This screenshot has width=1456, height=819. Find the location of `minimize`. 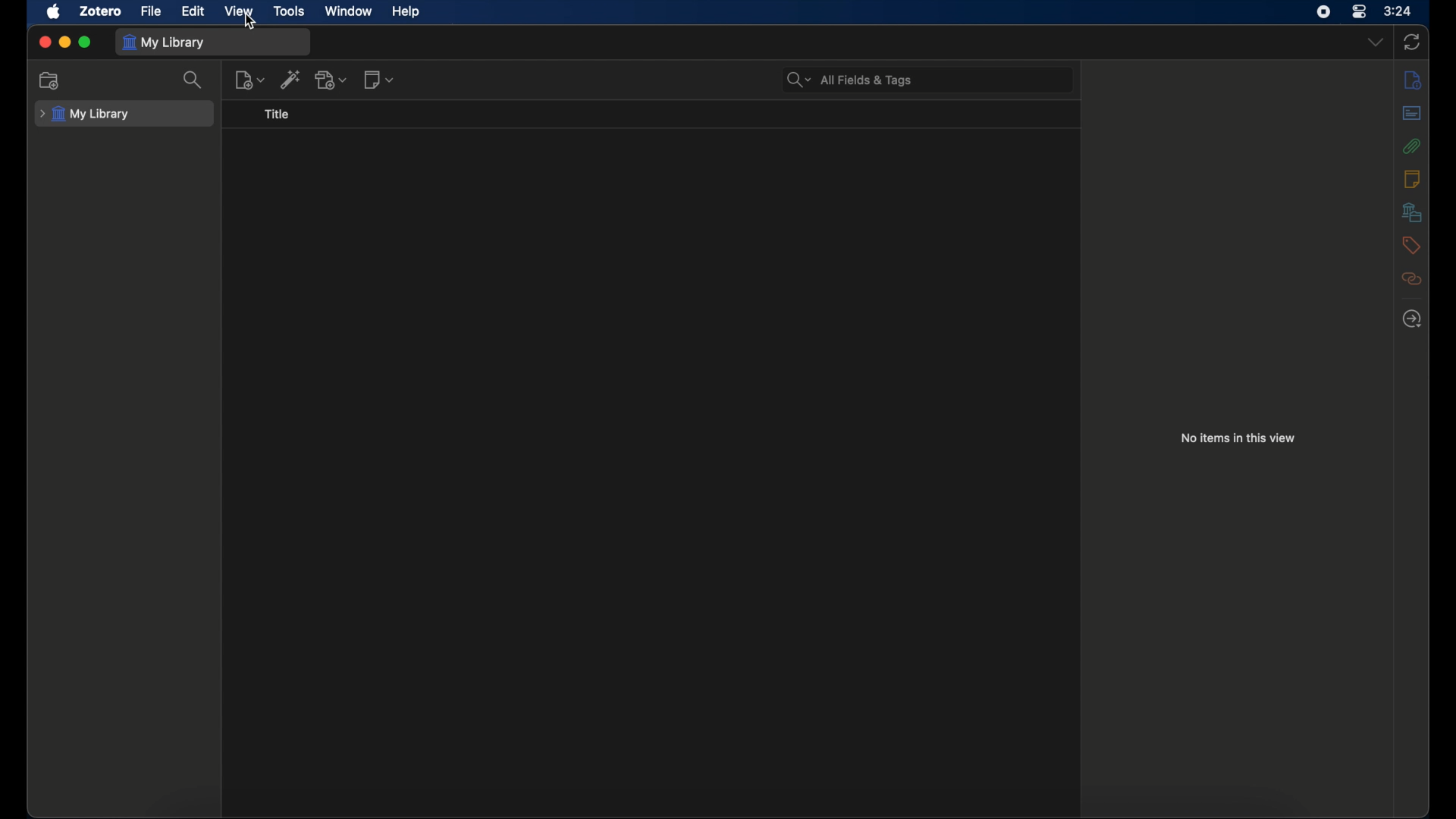

minimize is located at coordinates (65, 42).